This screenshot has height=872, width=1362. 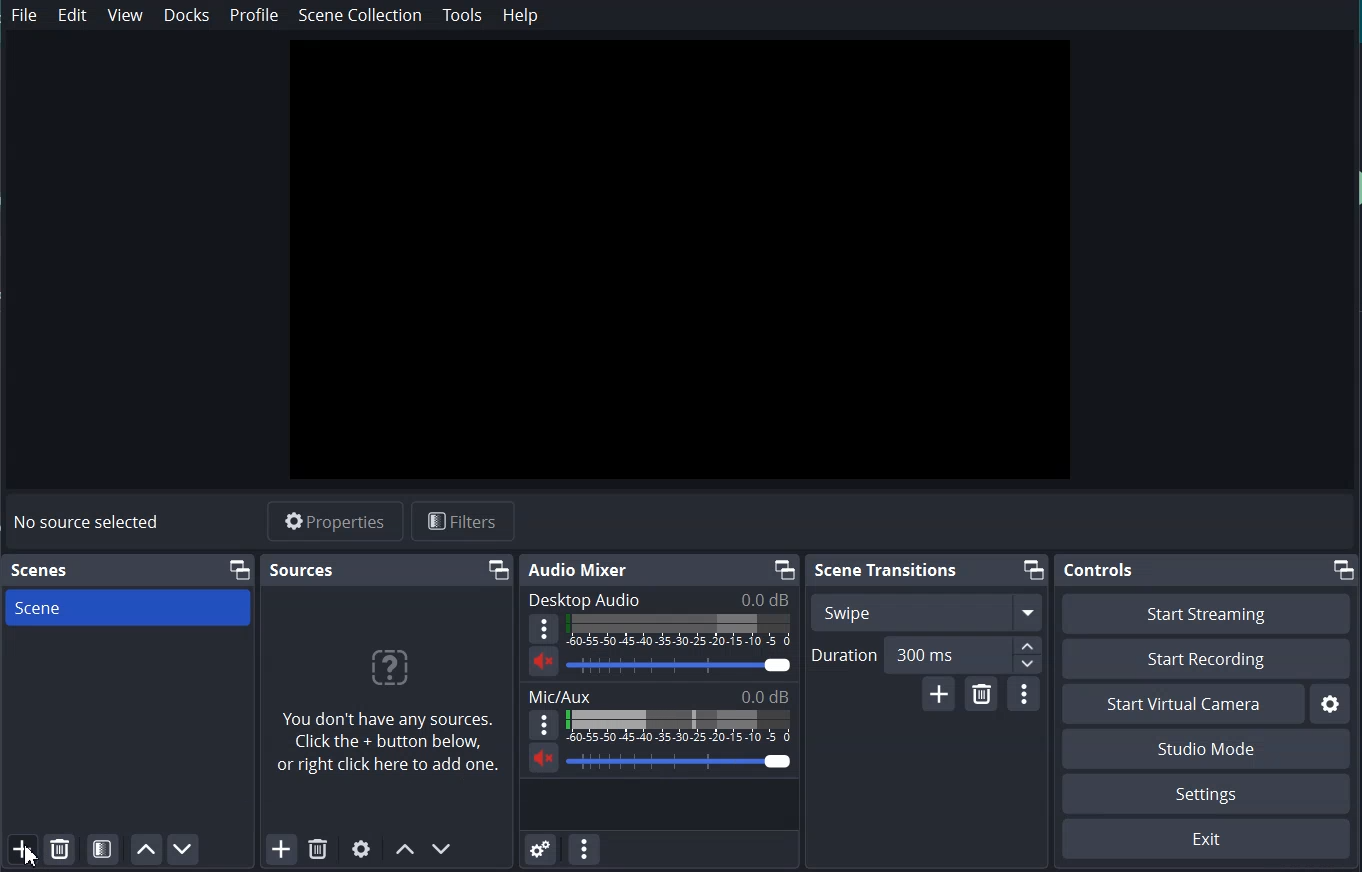 I want to click on Add configurable Transition, so click(x=938, y=693).